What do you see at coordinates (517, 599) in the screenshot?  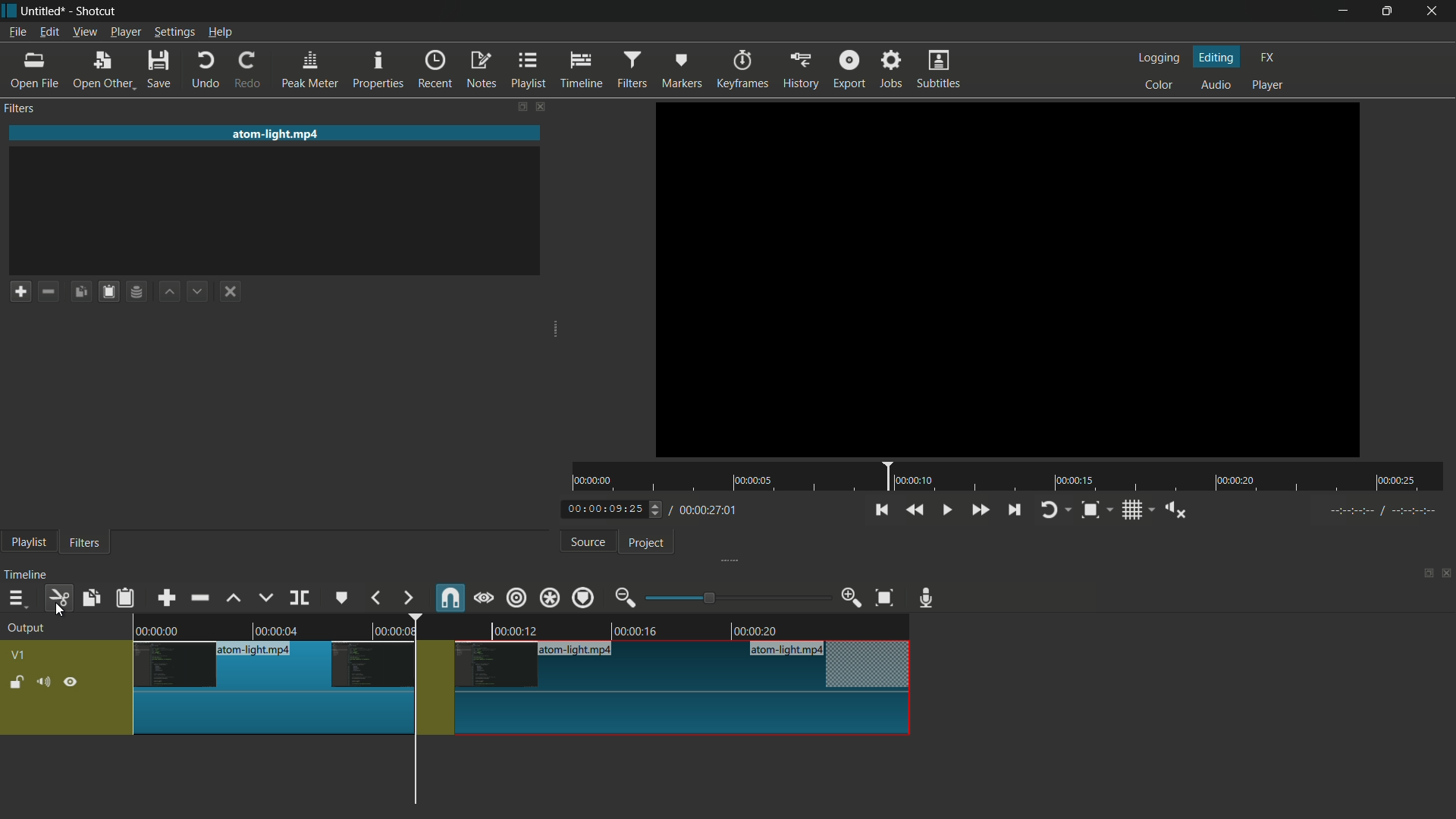 I see `ripple` at bounding box center [517, 599].